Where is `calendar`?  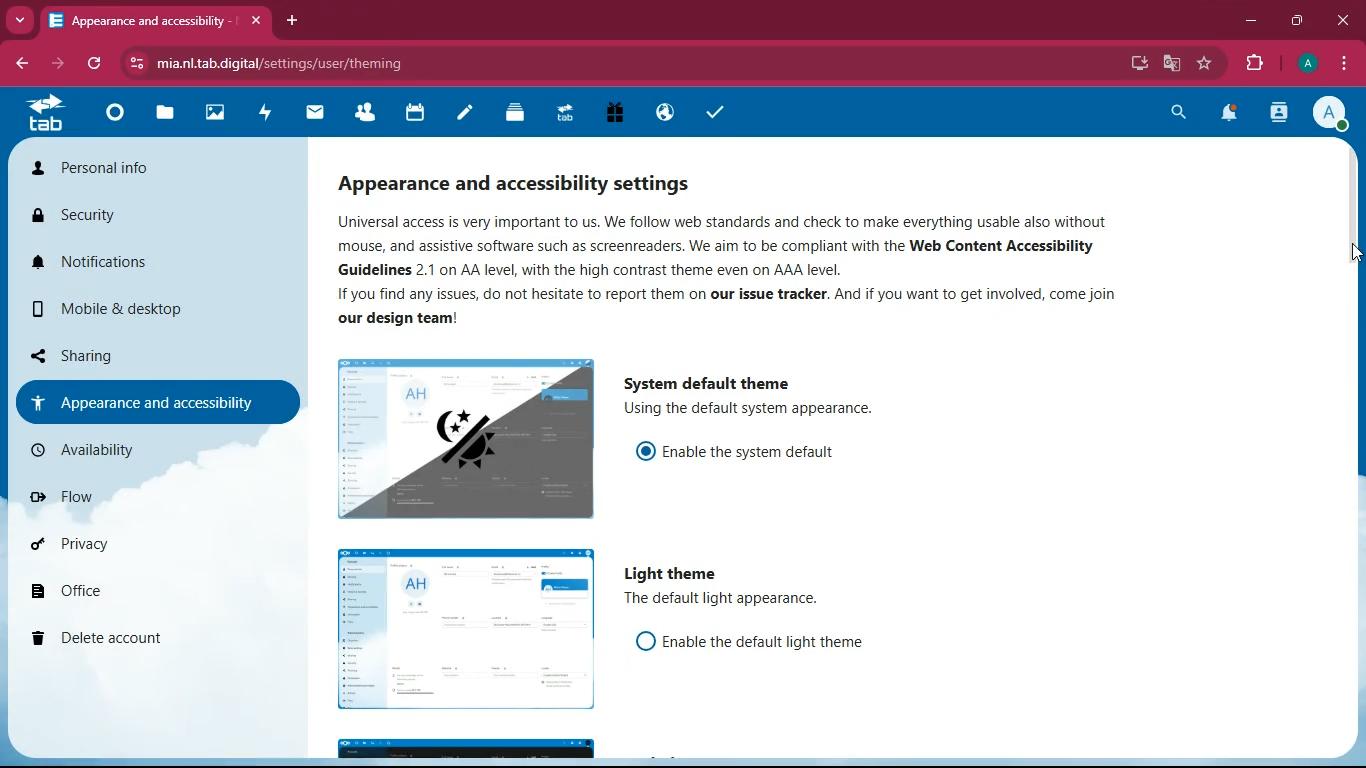
calendar is located at coordinates (419, 118).